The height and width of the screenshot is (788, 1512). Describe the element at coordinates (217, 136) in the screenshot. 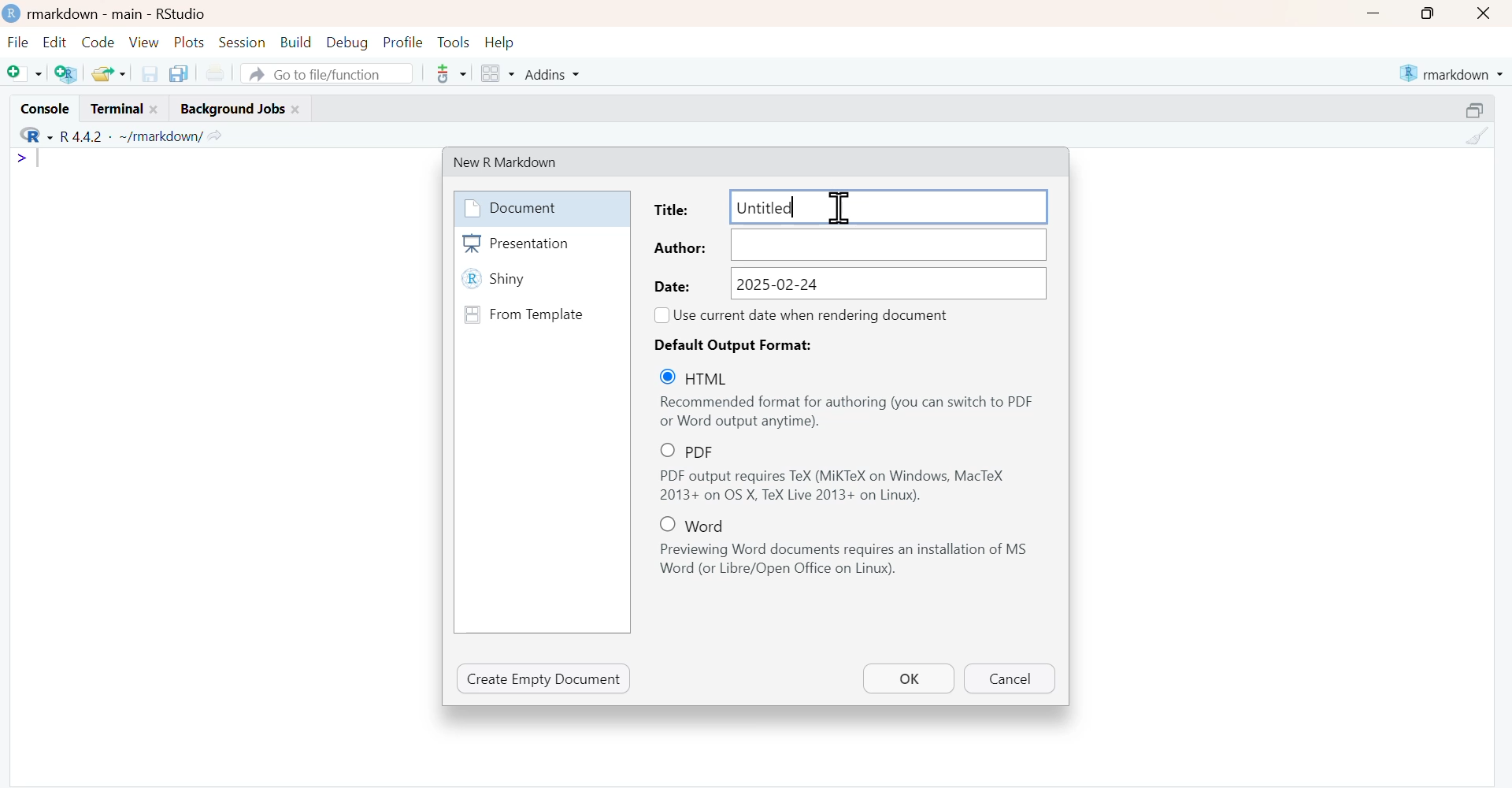

I see `go to directory` at that location.